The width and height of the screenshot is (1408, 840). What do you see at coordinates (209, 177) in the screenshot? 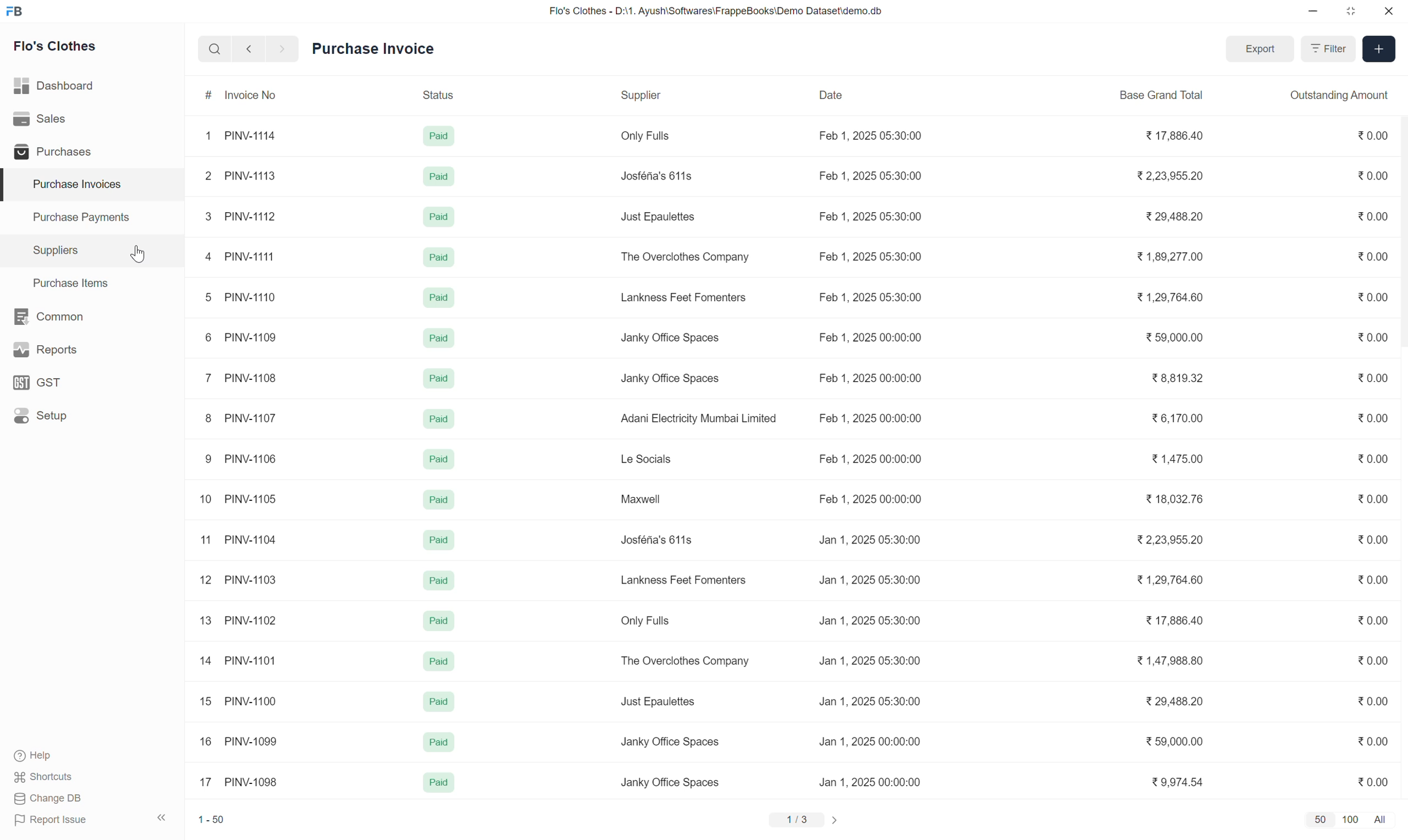
I see `2` at bounding box center [209, 177].